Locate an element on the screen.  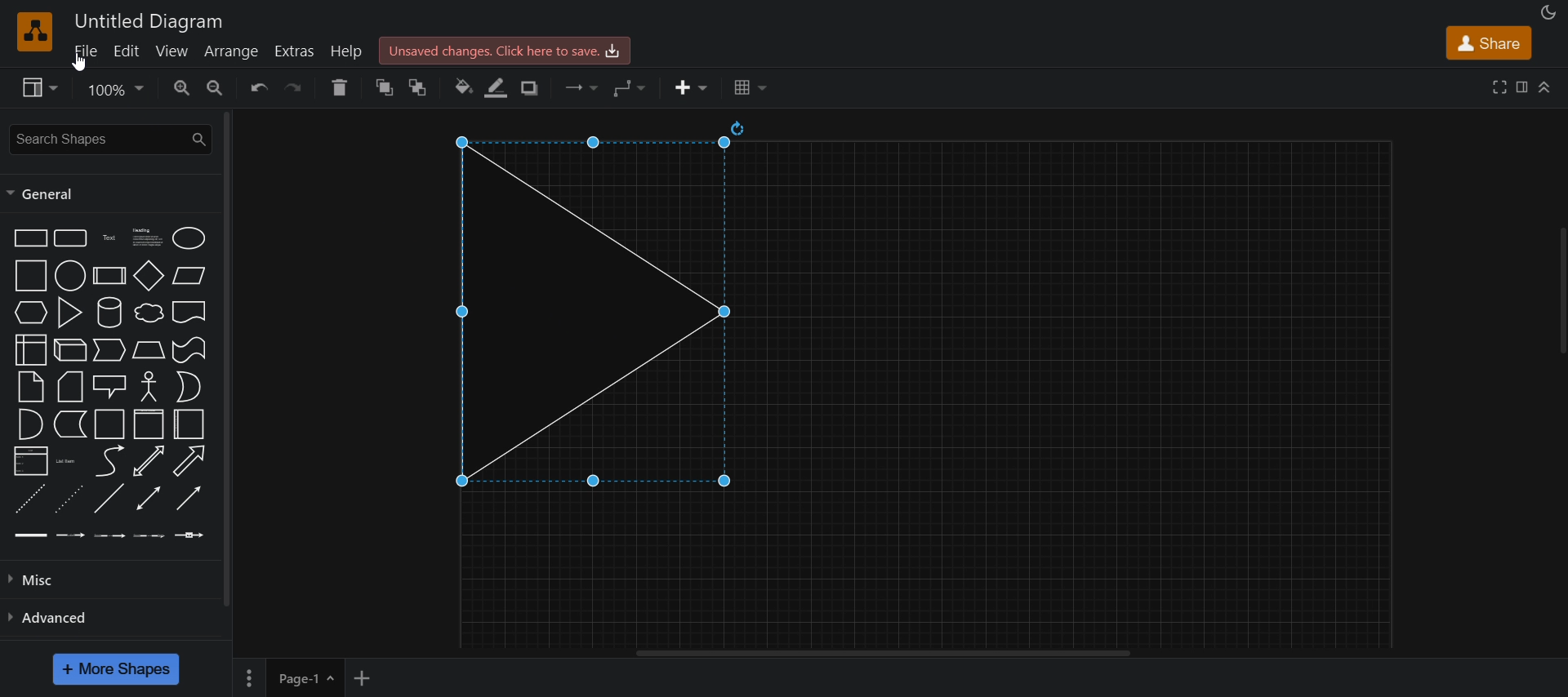
callout is located at coordinates (113, 386).